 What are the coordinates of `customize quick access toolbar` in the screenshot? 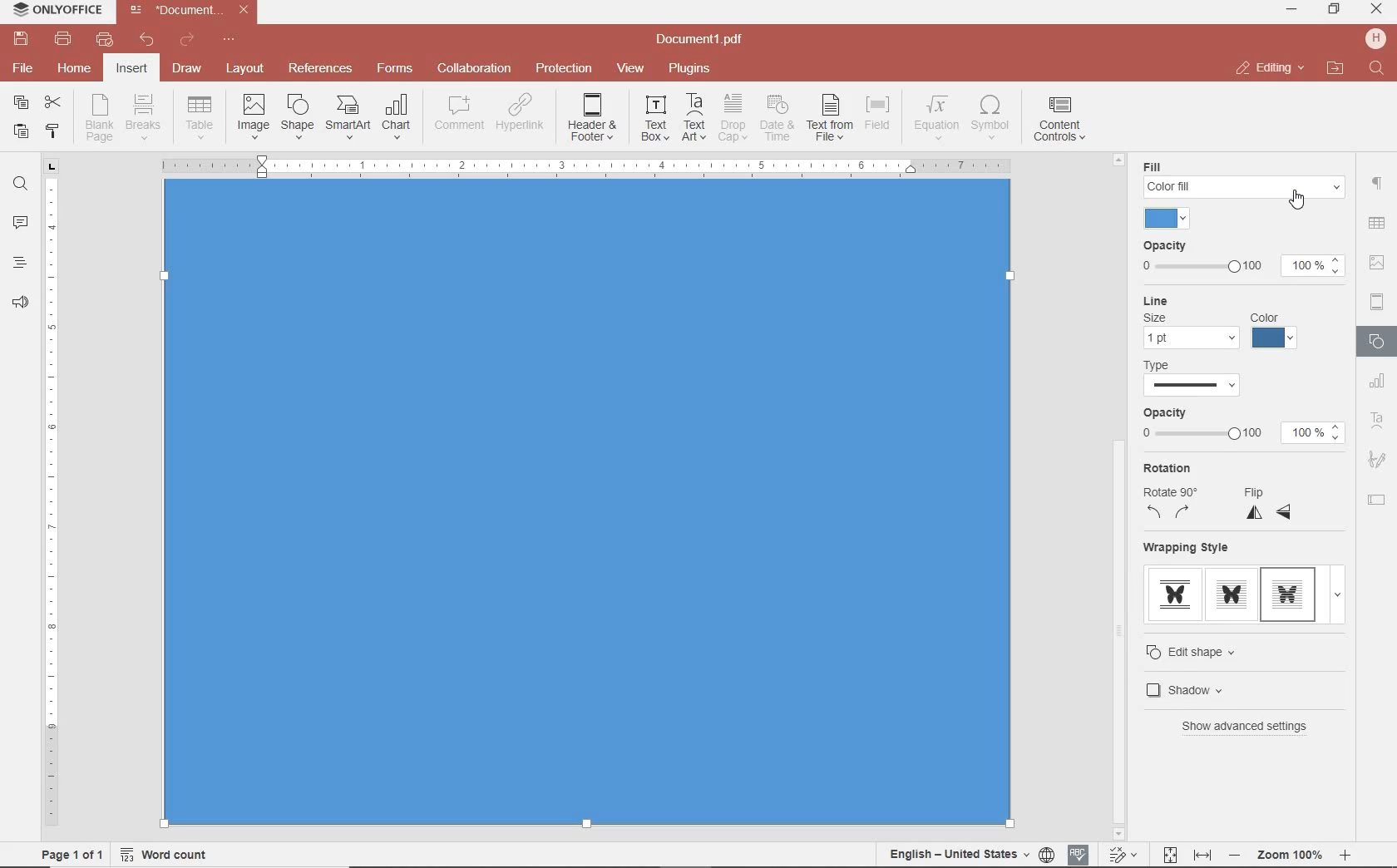 It's located at (229, 40).